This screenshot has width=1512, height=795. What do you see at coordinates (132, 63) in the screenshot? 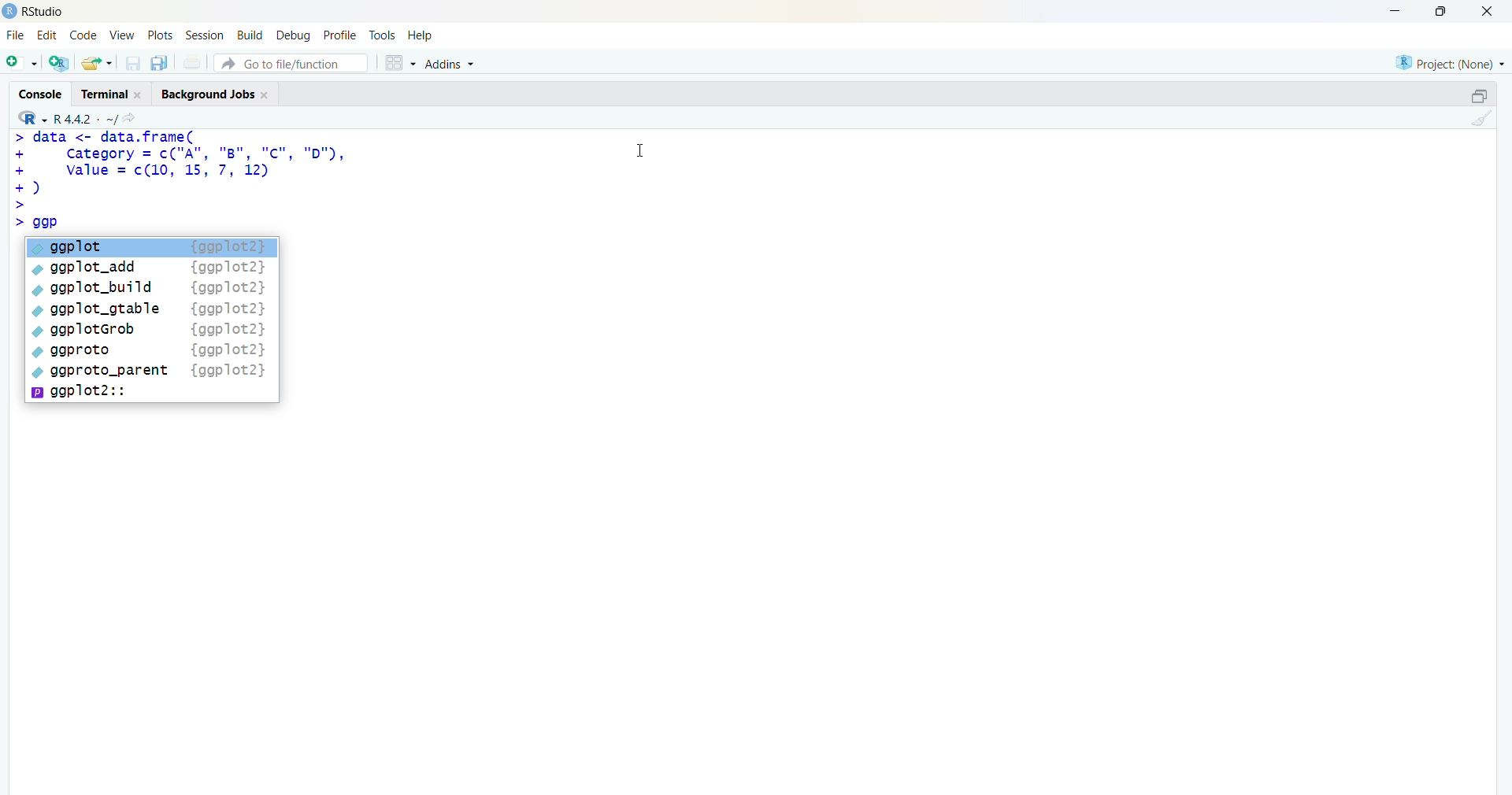
I see `save current document` at bounding box center [132, 63].